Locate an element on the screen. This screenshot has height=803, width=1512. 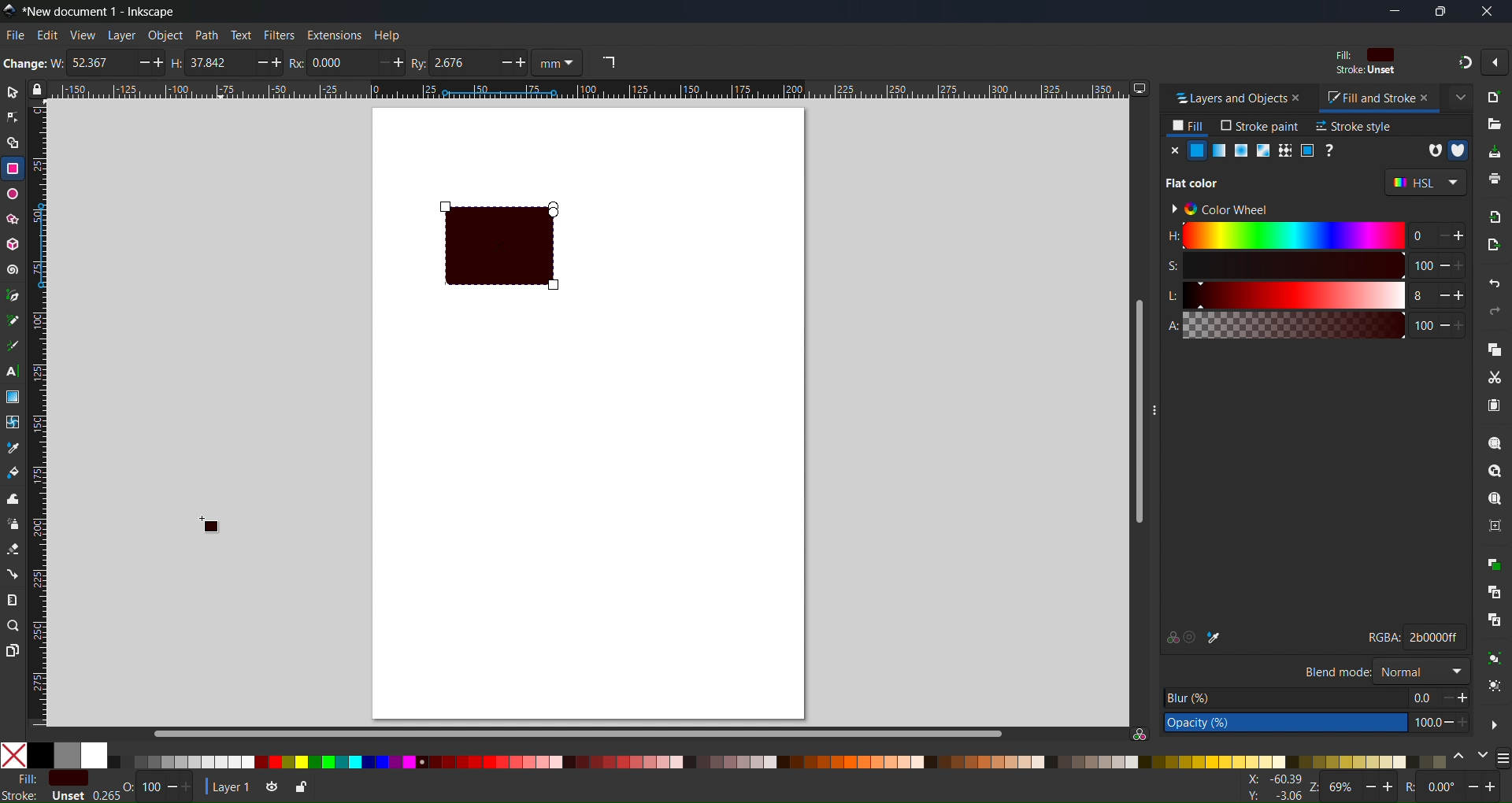
change color is located at coordinates (1481, 758).